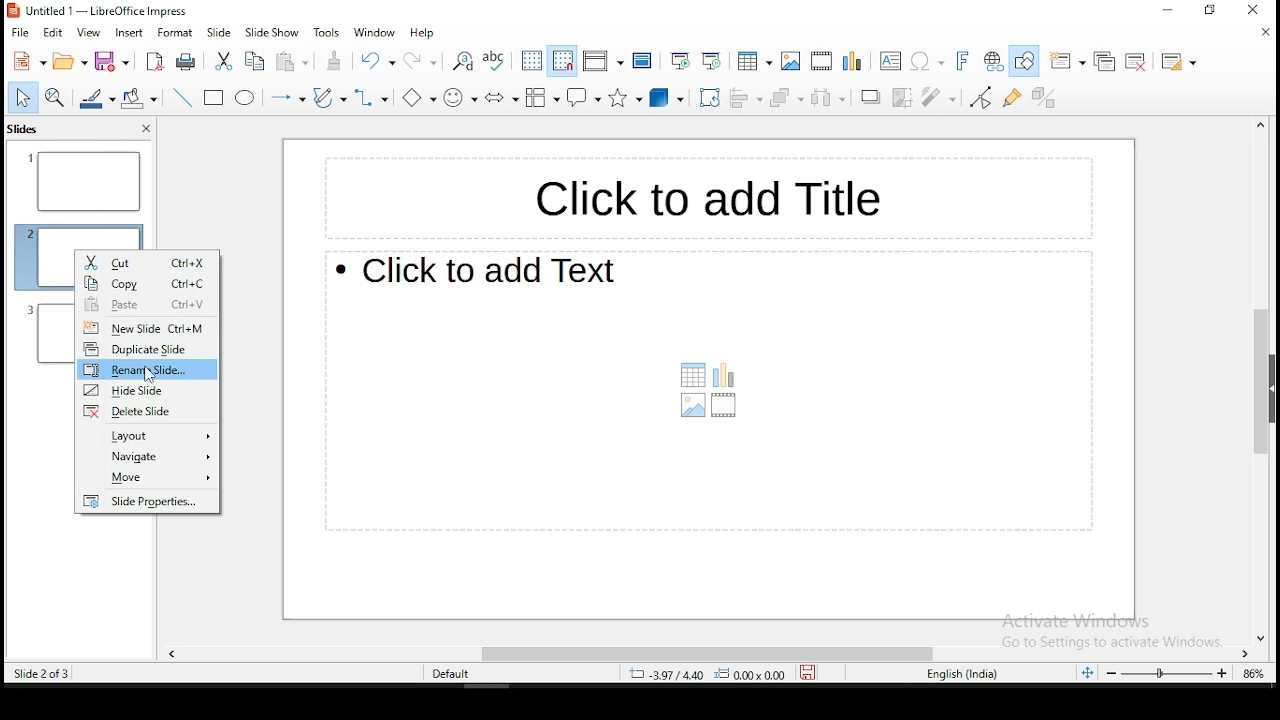  I want to click on insert, so click(128, 33).